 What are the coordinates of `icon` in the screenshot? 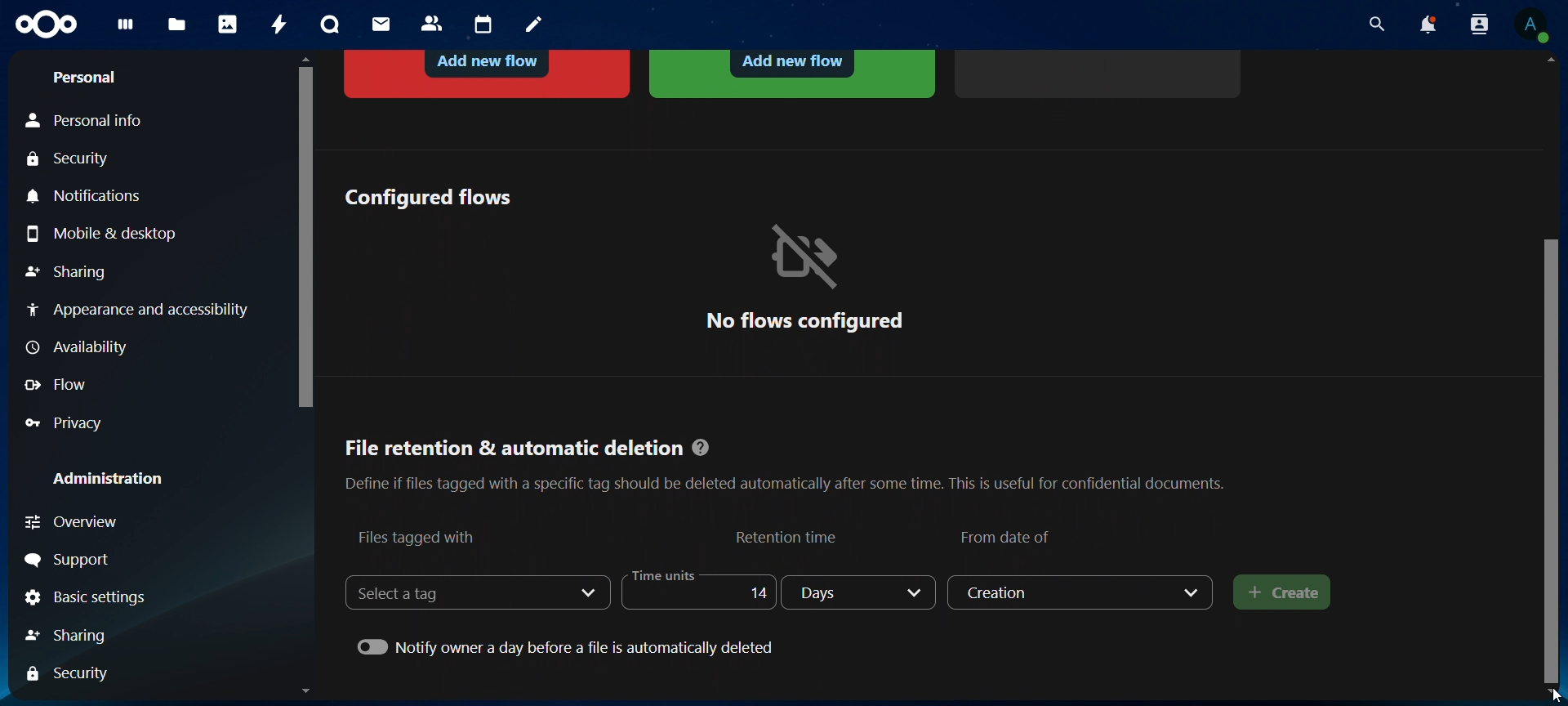 It's located at (48, 25).